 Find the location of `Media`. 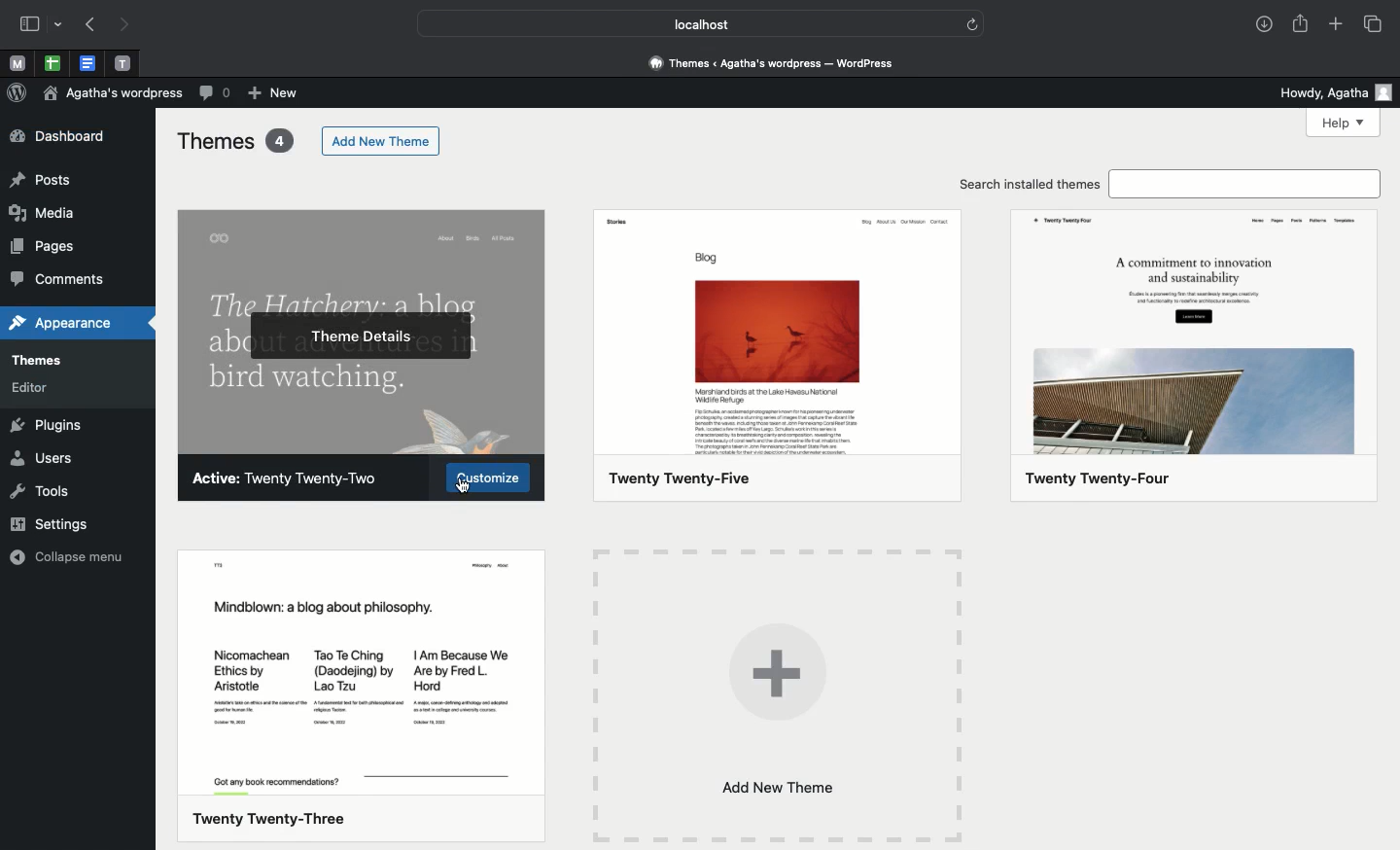

Media is located at coordinates (46, 212).